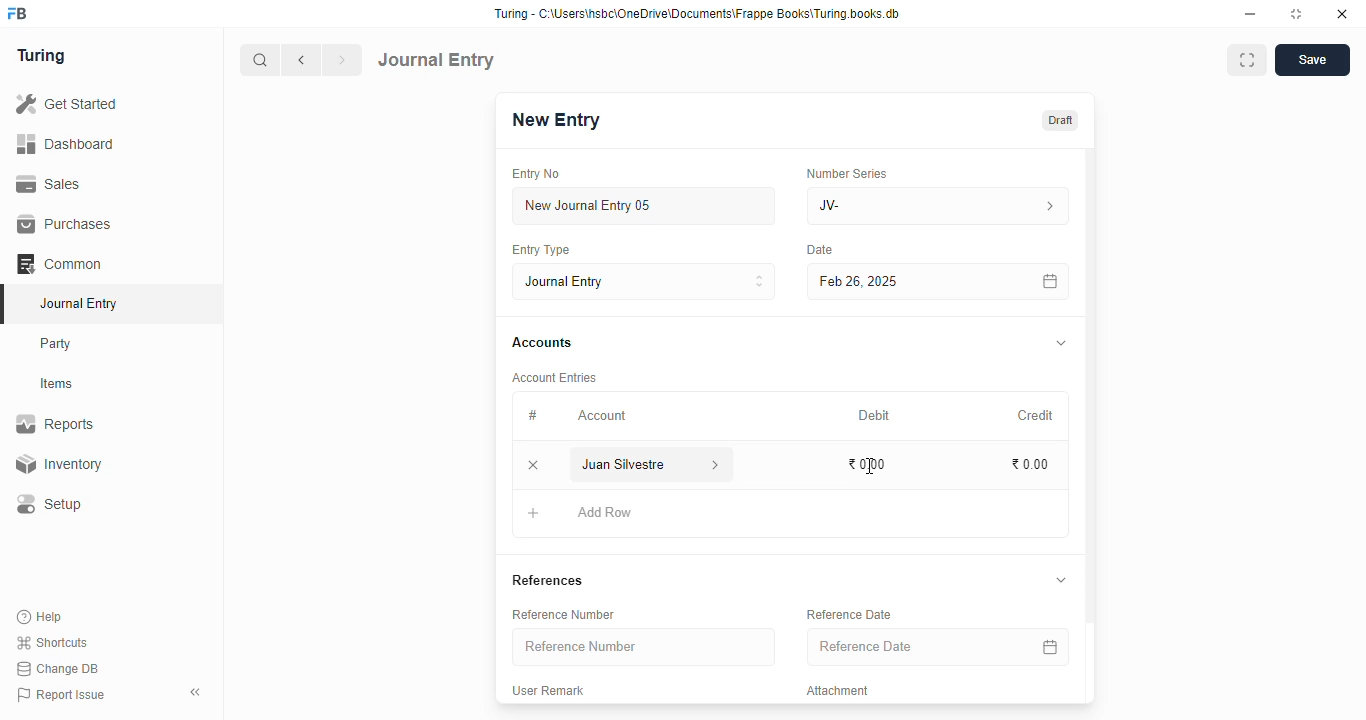 The width and height of the screenshot is (1366, 720). I want to click on scroll bar, so click(1091, 424).